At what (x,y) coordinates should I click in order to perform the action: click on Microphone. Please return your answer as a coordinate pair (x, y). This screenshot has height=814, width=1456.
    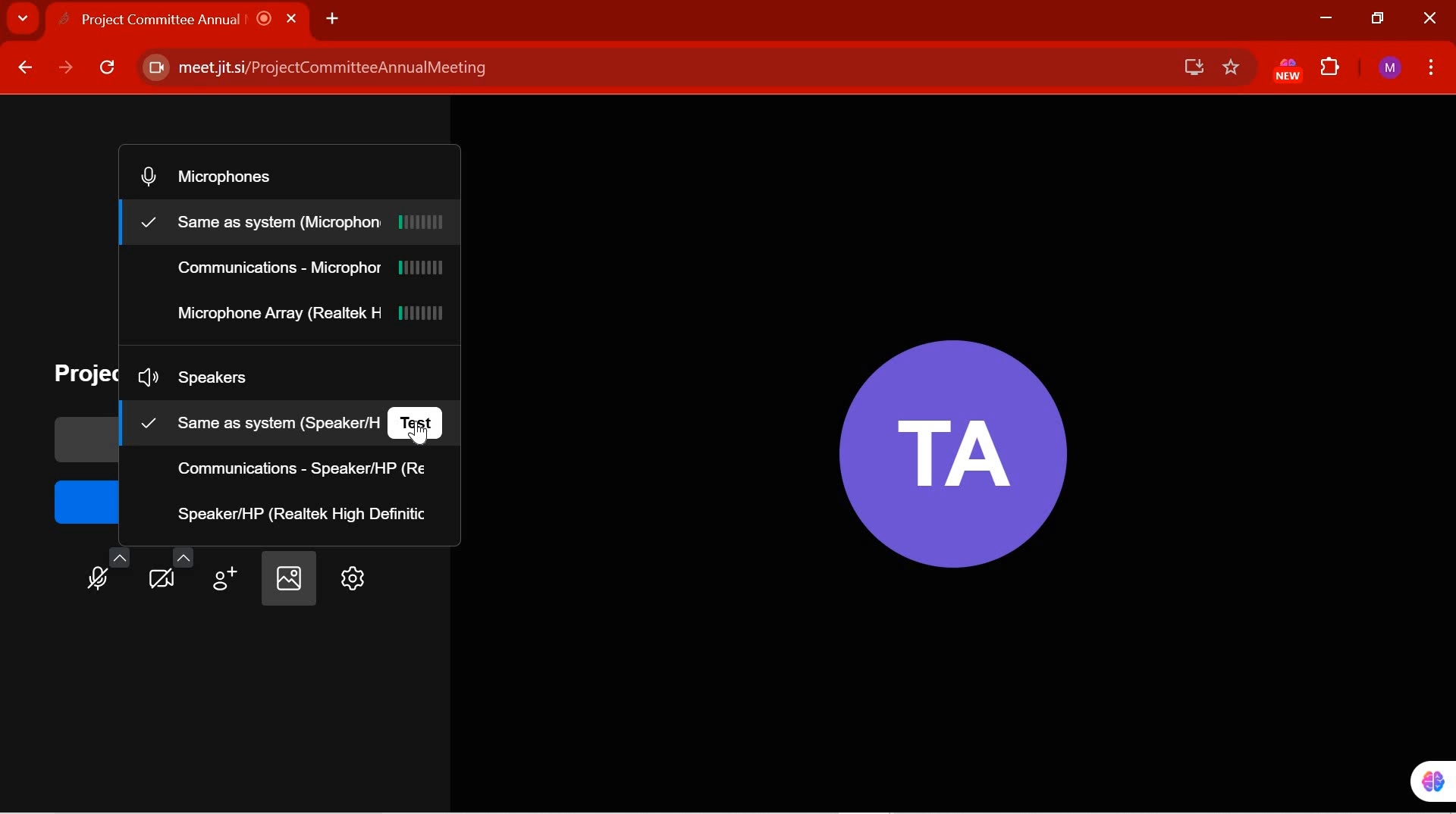
    Looking at the image, I should click on (109, 569).